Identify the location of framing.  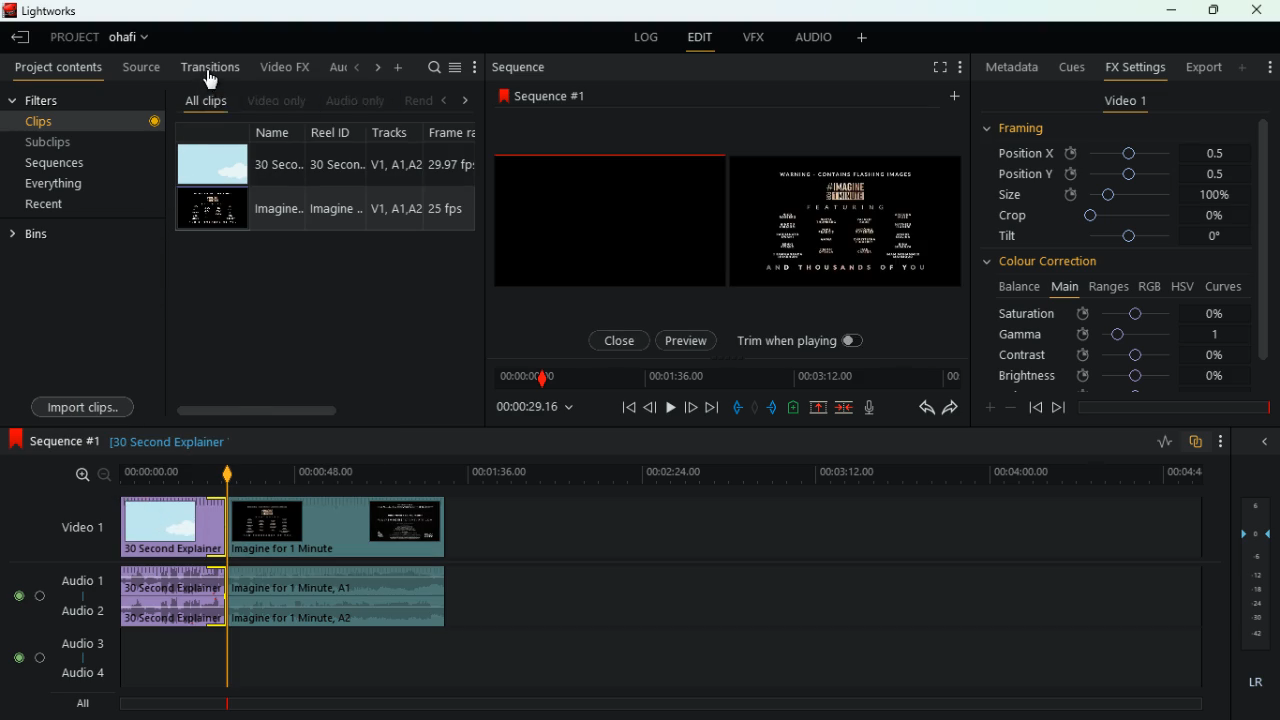
(1026, 129).